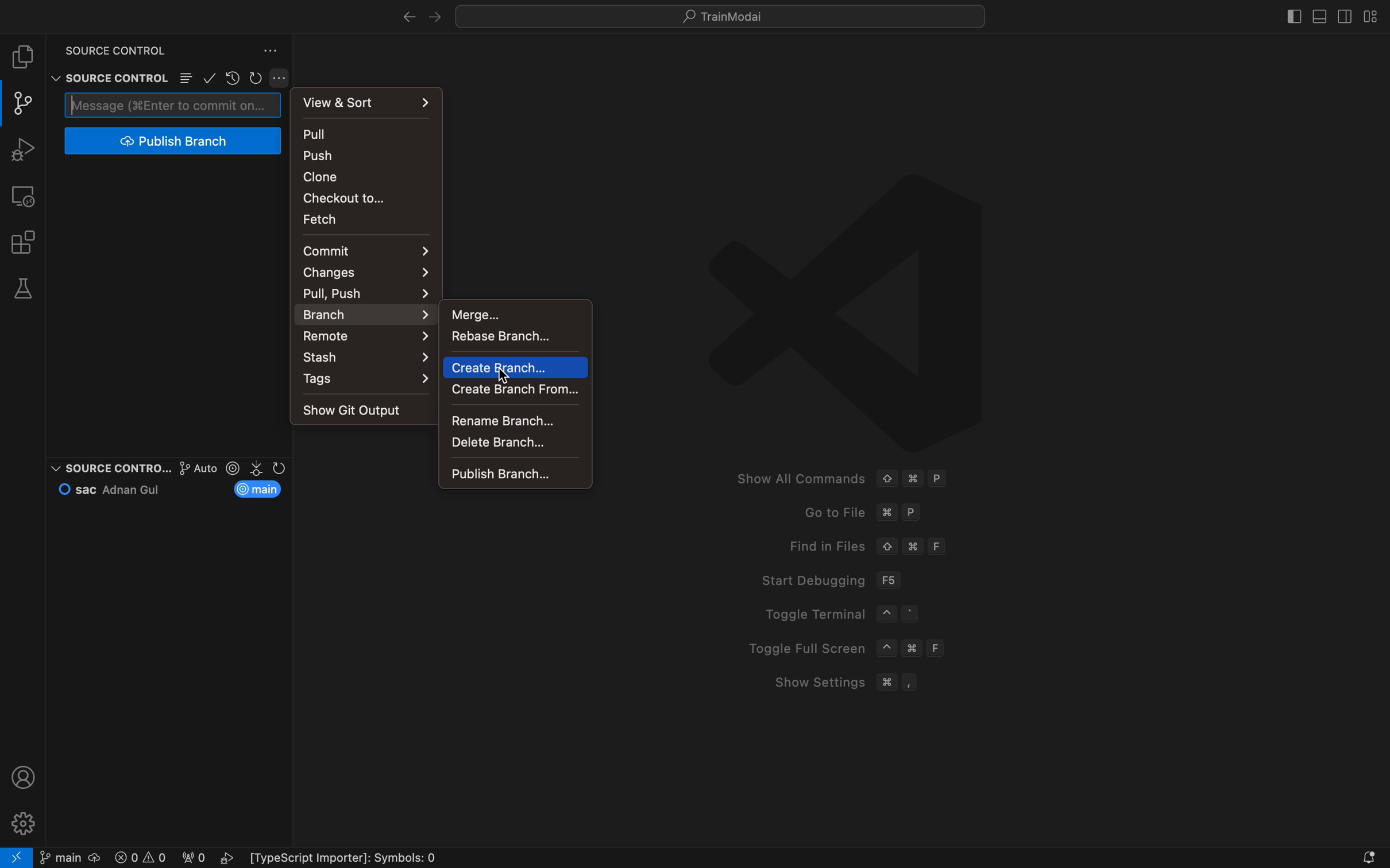  What do you see at coordinates (727, 16) in the screenshot?
I see `tutorials` at bounding box center [727, 16].